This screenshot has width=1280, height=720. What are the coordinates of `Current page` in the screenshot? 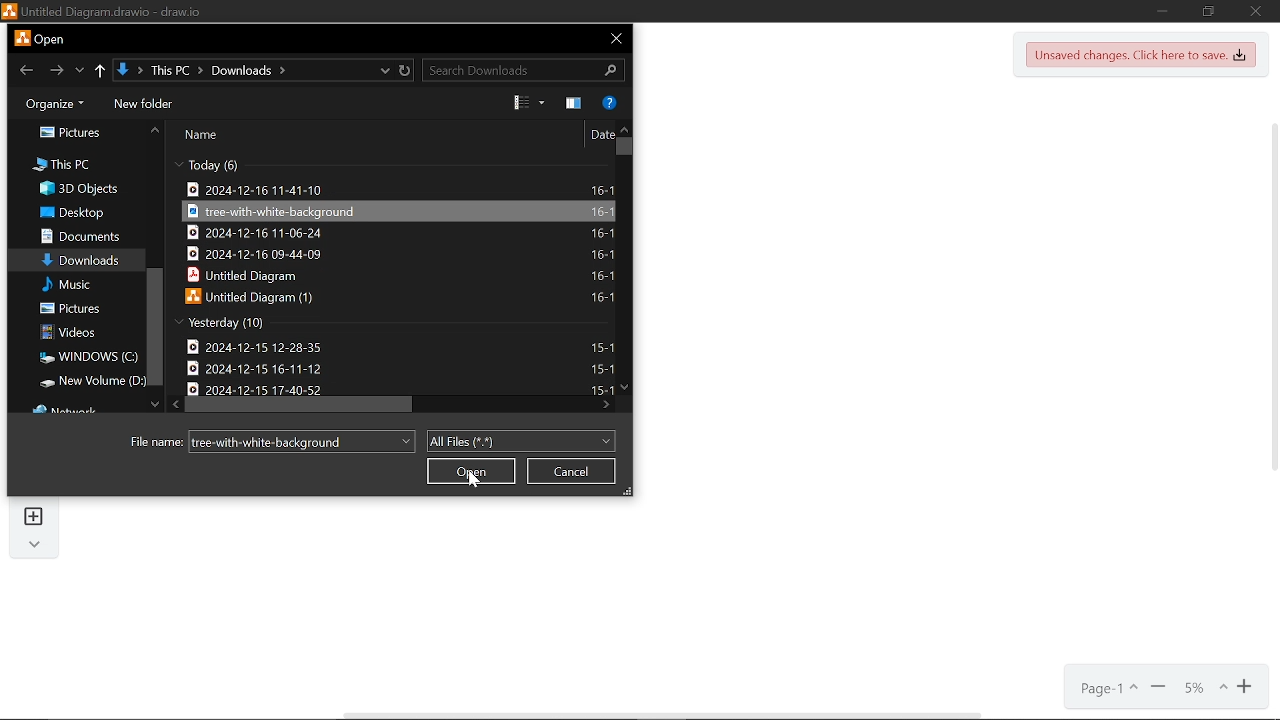 It's located at (1102, 689).